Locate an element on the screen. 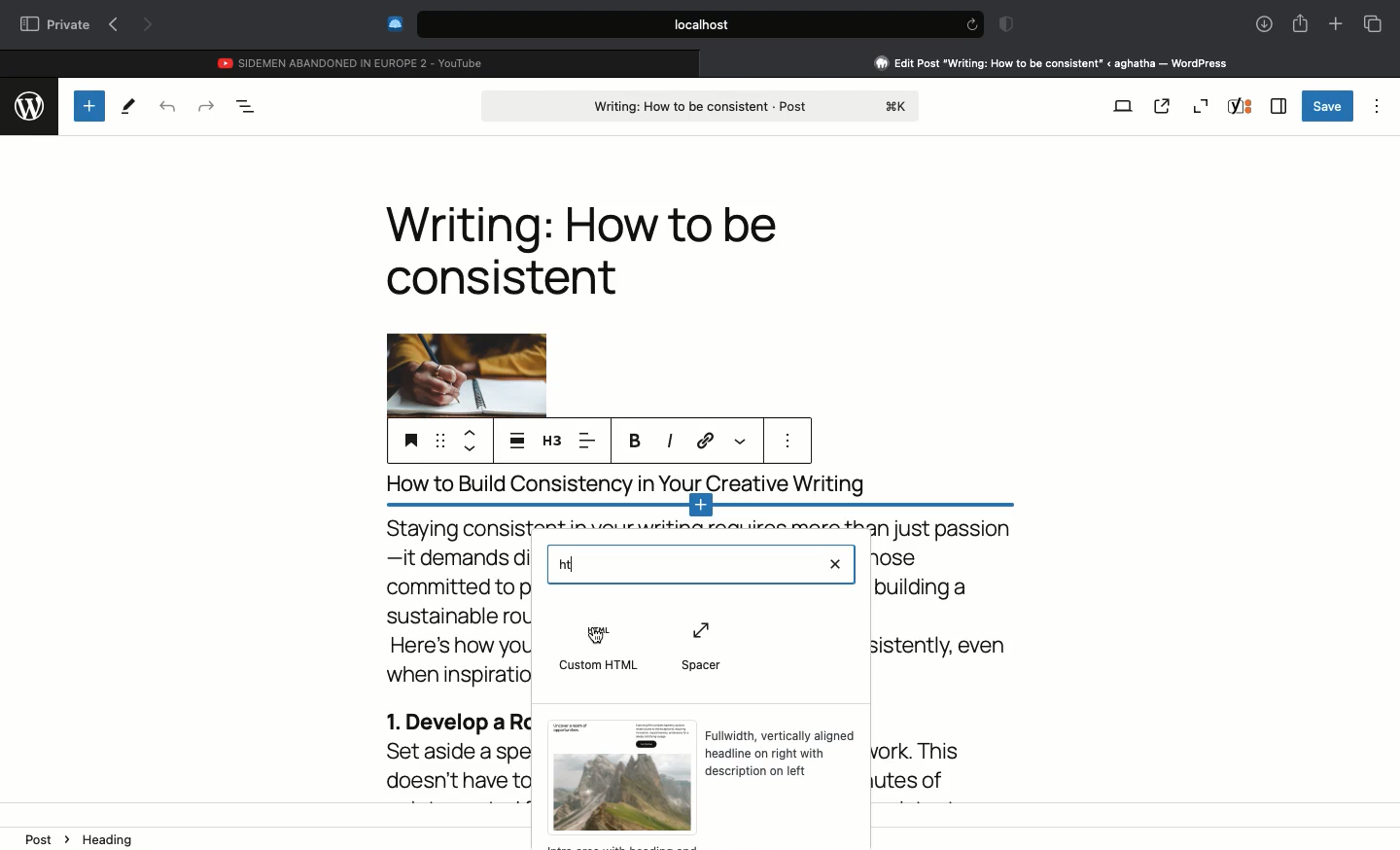 The width and height of the screenshot is (1400, 850). Document overview is located at coordinates (247, 106).